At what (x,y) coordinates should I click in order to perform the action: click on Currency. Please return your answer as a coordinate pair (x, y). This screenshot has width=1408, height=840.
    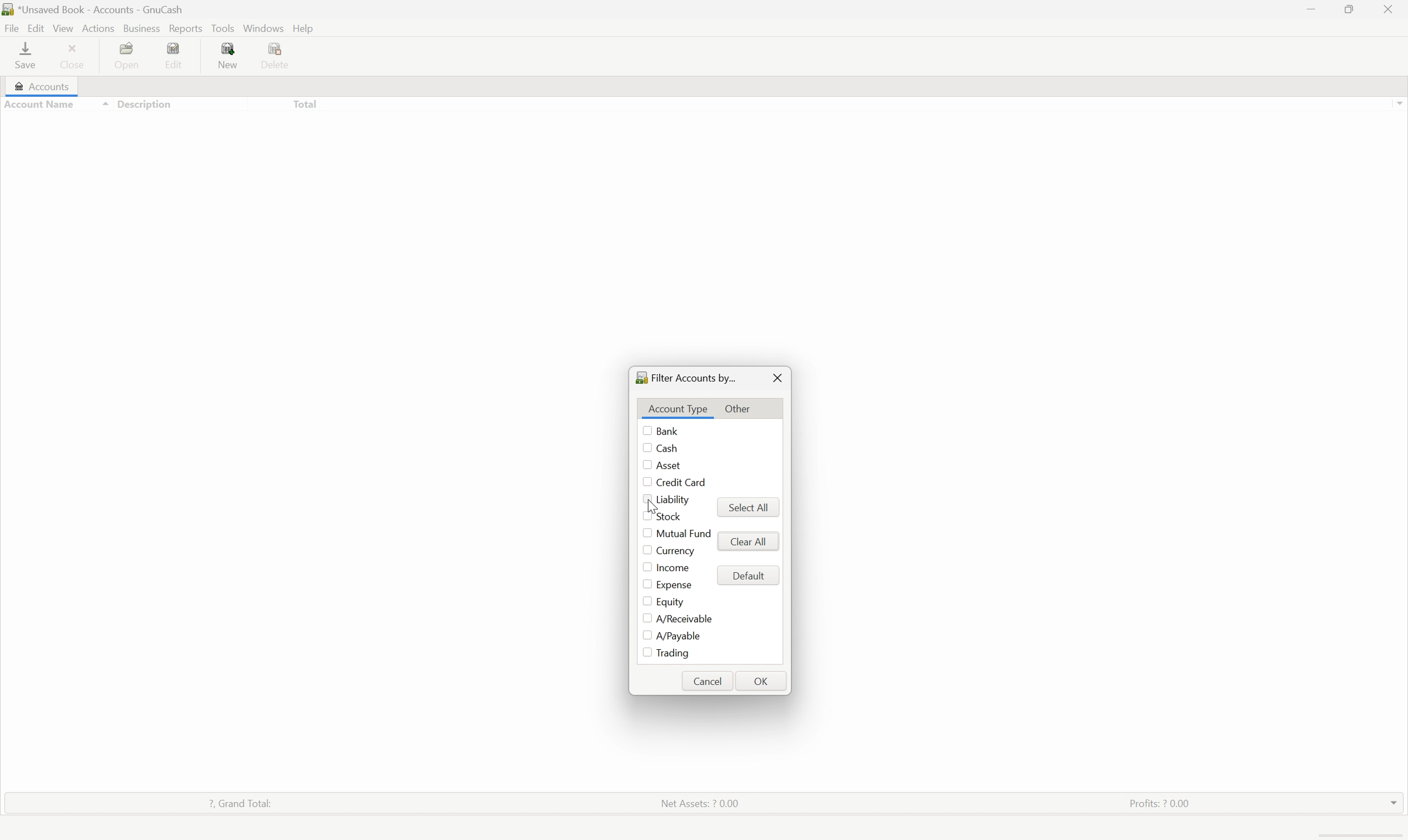
    Looking at the image, I should click on (675, 550).